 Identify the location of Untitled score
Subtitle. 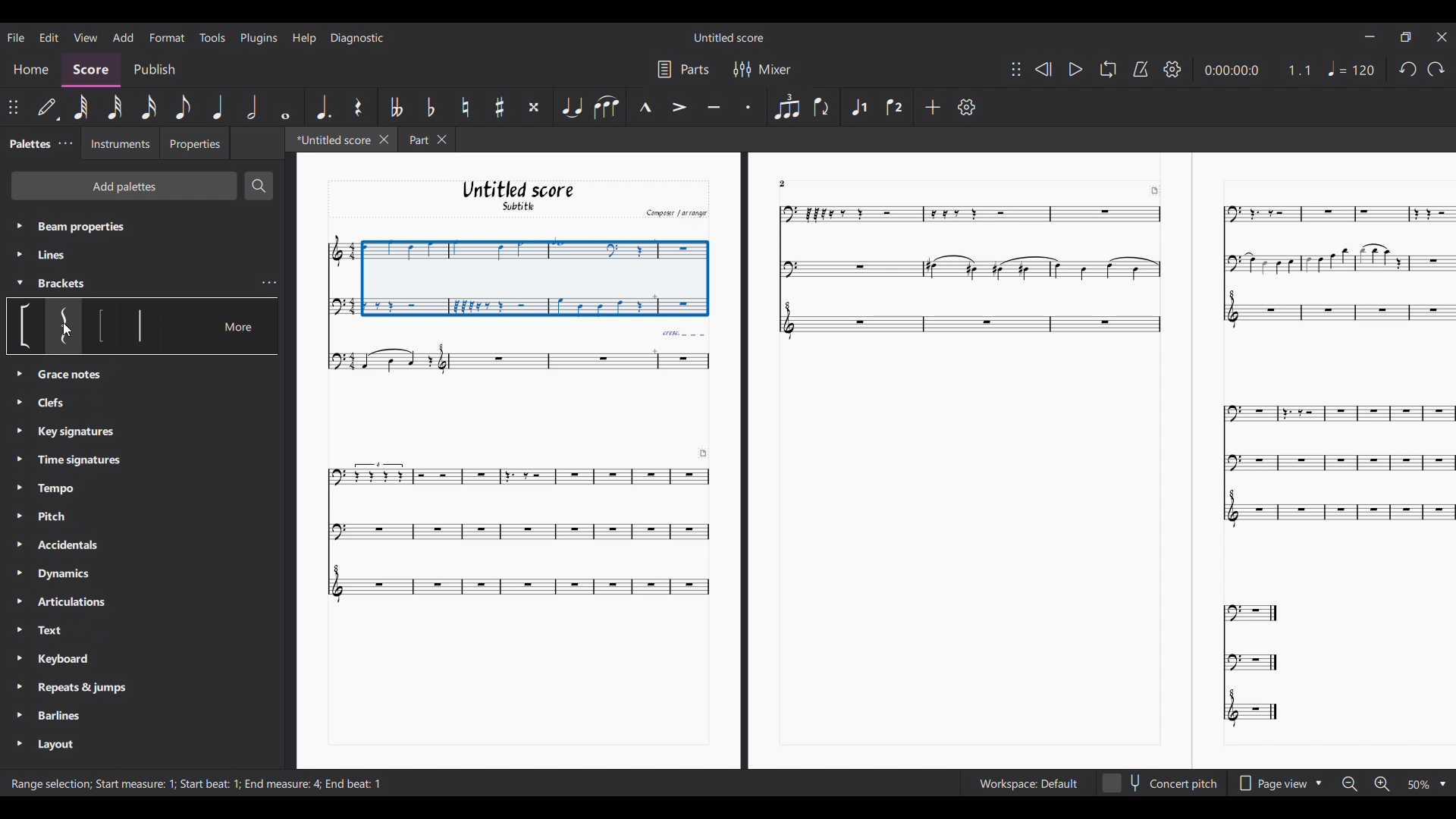
(516, 196).